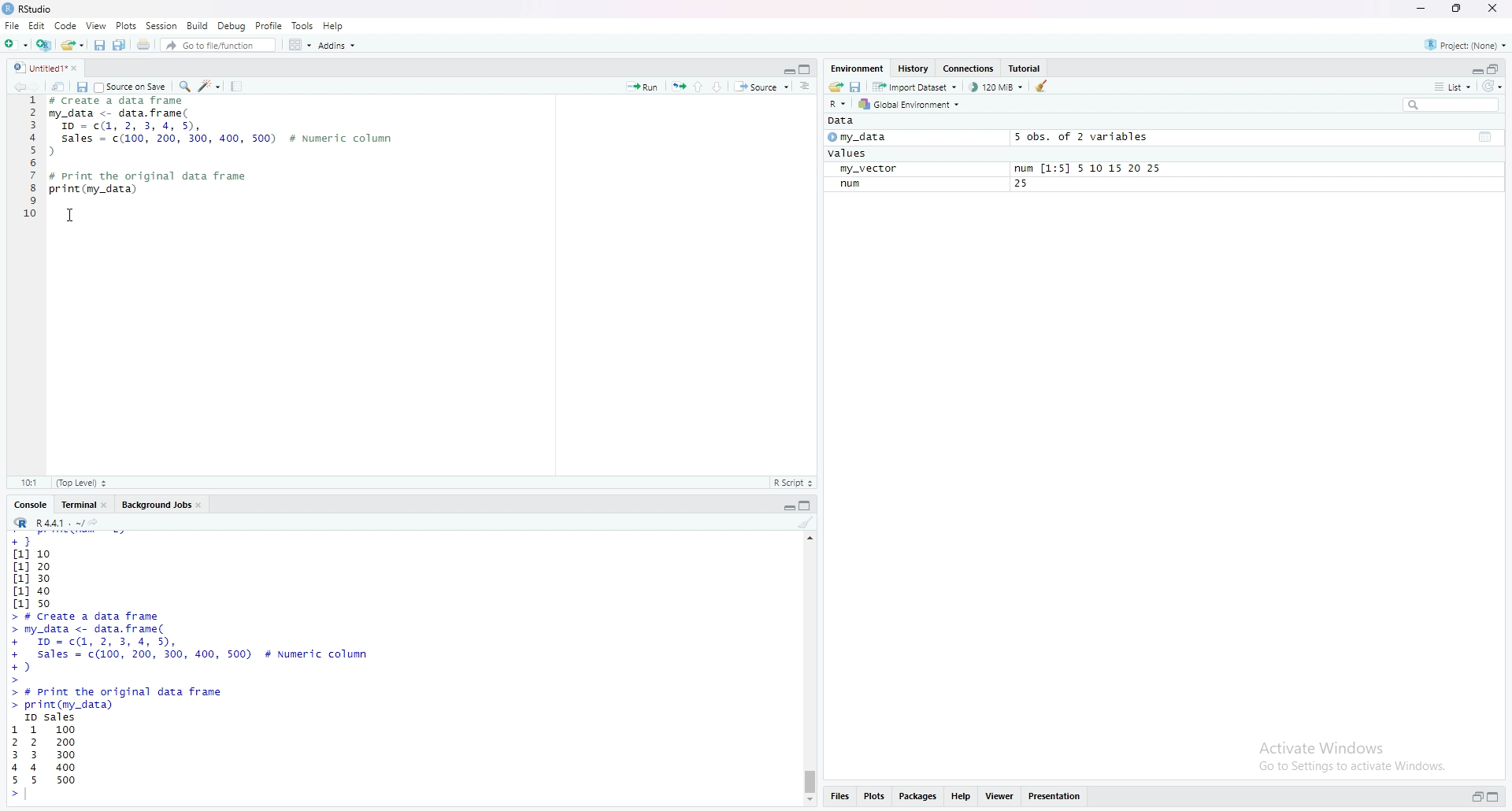 The image size is (1512, 811). I want to click on show document outline, so click(806, 87).